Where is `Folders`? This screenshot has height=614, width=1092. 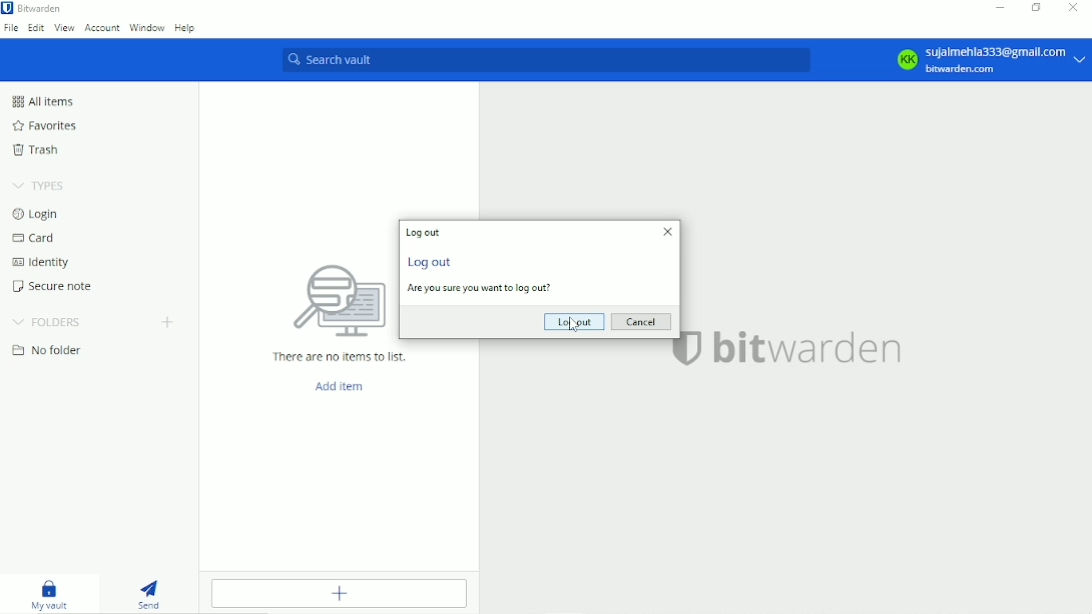 Folders is located at coordinates (47, 322).